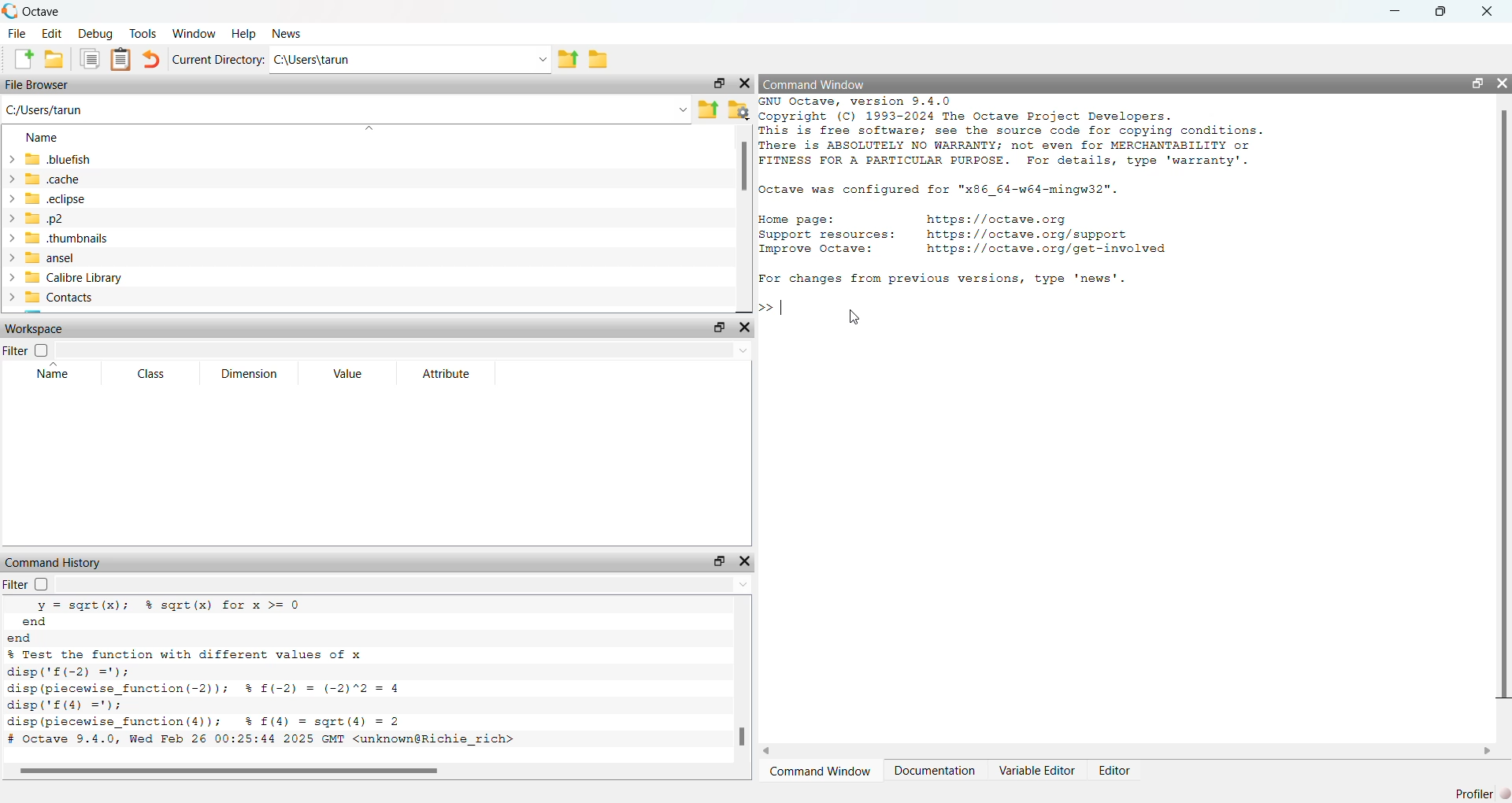 The width and height of the screenshot is (1512, 803). Describe the element at coordinates (57, 298) in the screenshot. I see `Contacts` at that location.